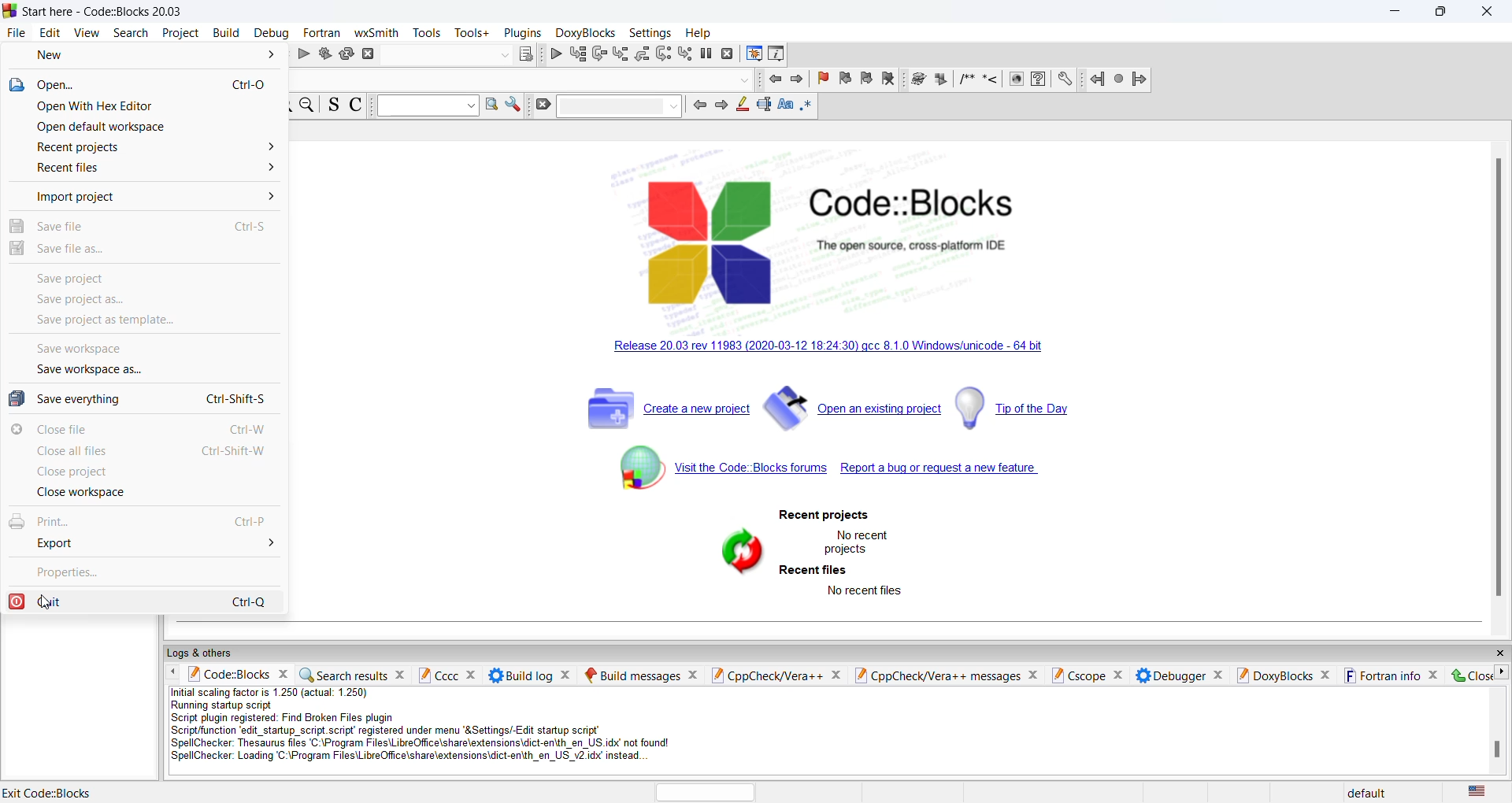  What do you see at coordinates (667, 411) in the screenshot?
I see `create new project` at bounding box center [667, 411].